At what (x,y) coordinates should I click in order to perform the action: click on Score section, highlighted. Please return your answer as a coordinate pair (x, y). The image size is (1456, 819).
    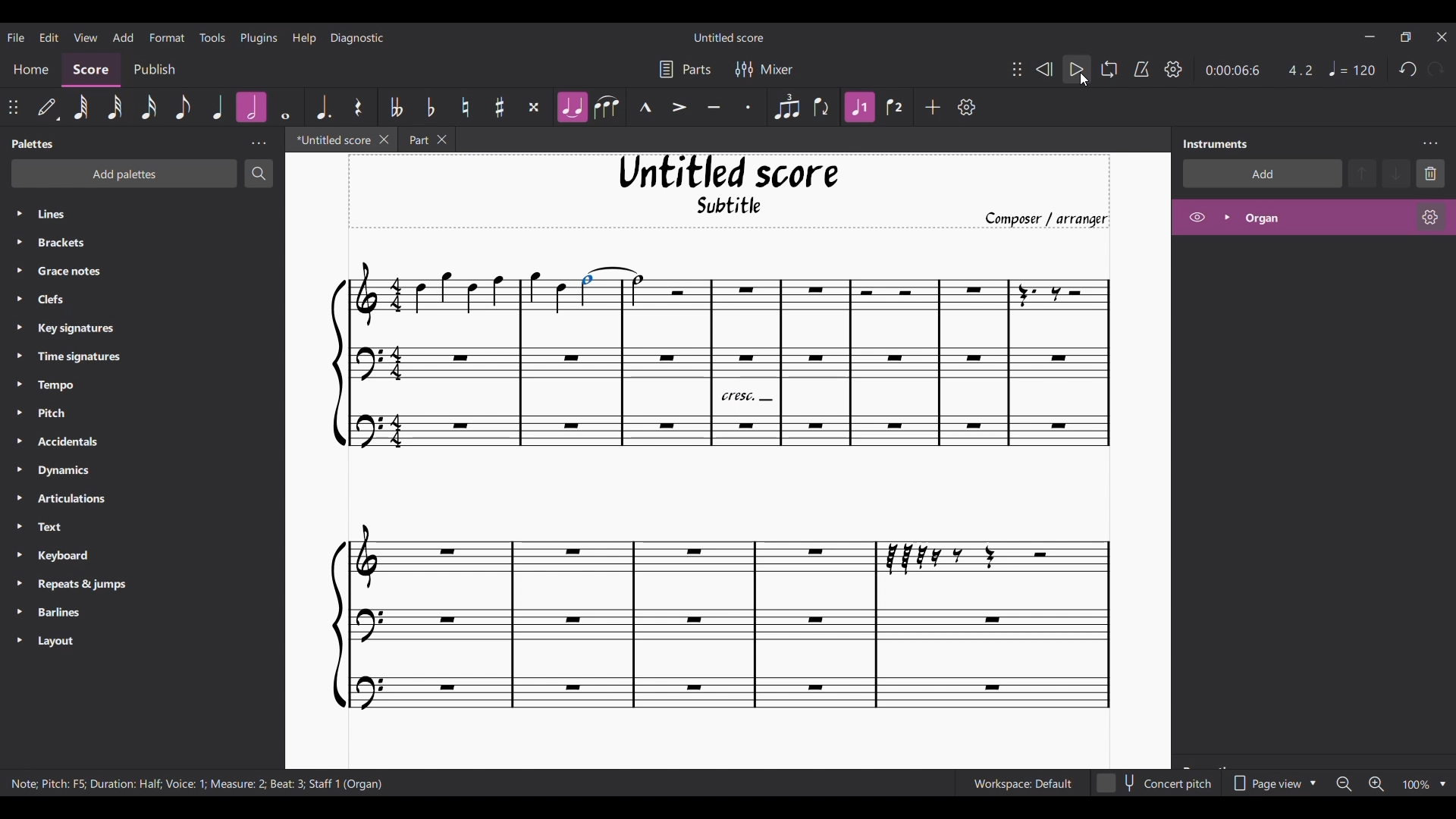
    Looking at the image, I should click on (91, 71).